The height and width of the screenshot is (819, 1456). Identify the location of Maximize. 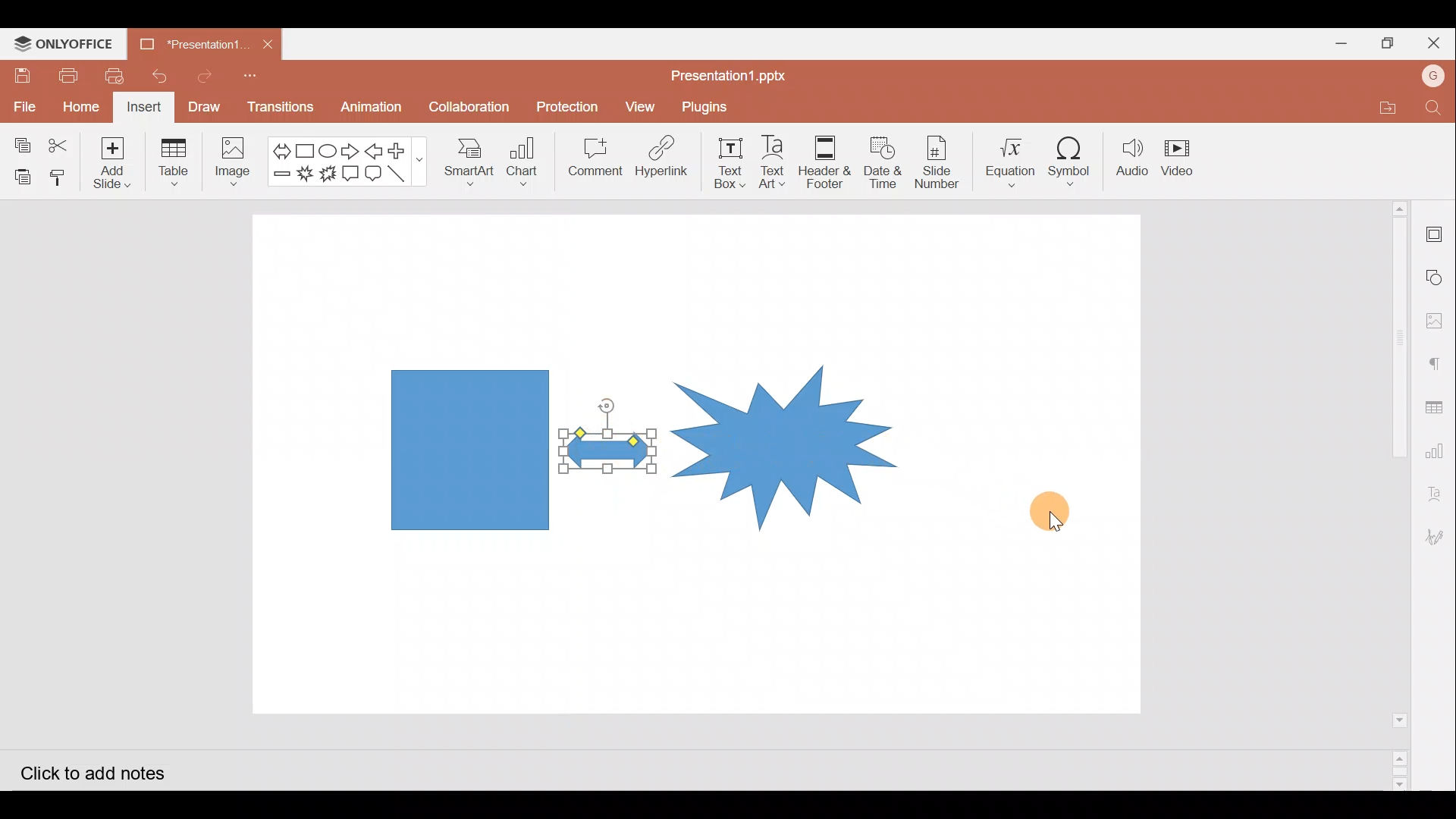
(1384, 41).